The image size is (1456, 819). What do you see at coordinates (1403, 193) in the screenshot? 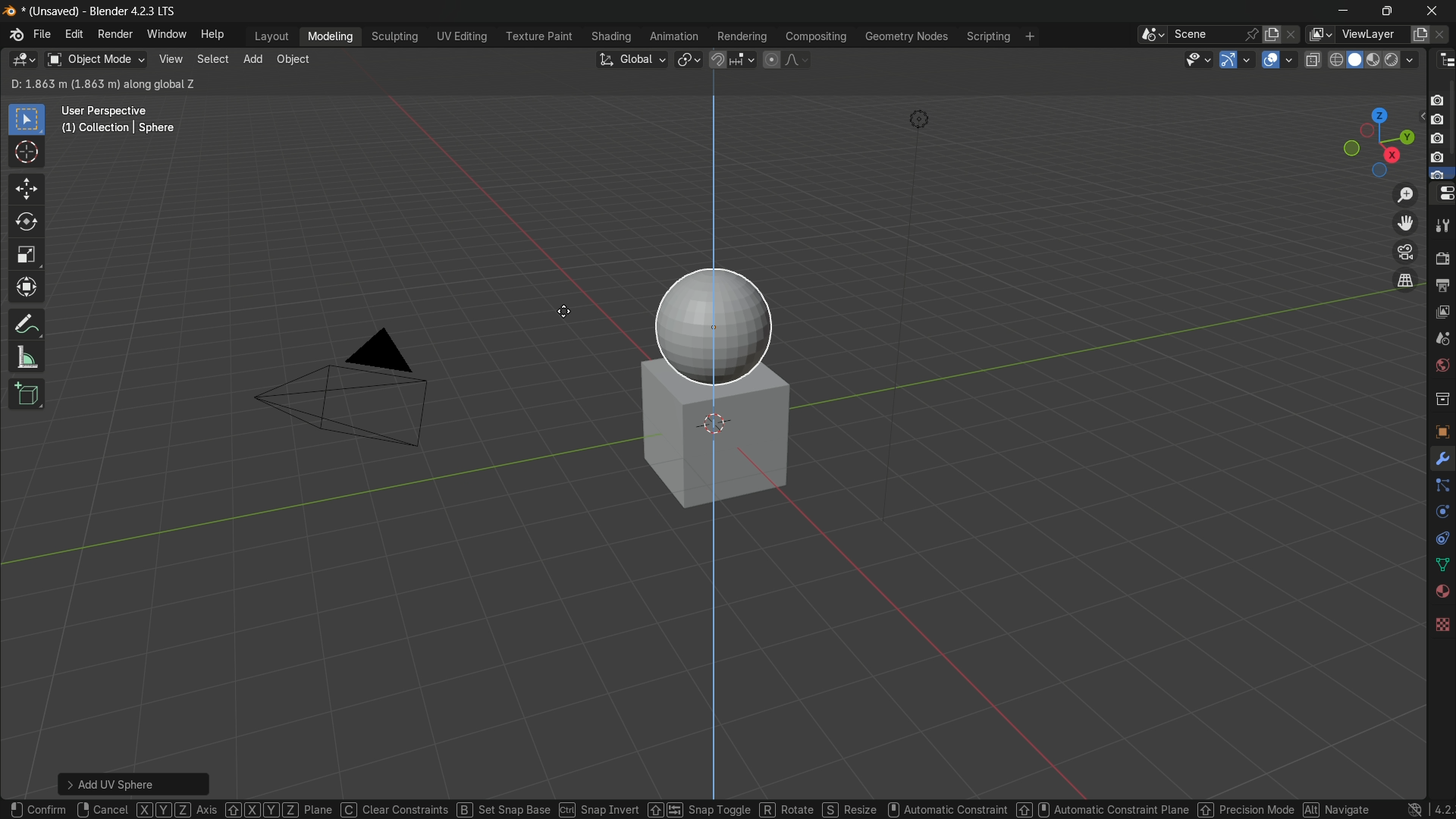
I see `zoom in/out` at bounding box center [1403, 193].